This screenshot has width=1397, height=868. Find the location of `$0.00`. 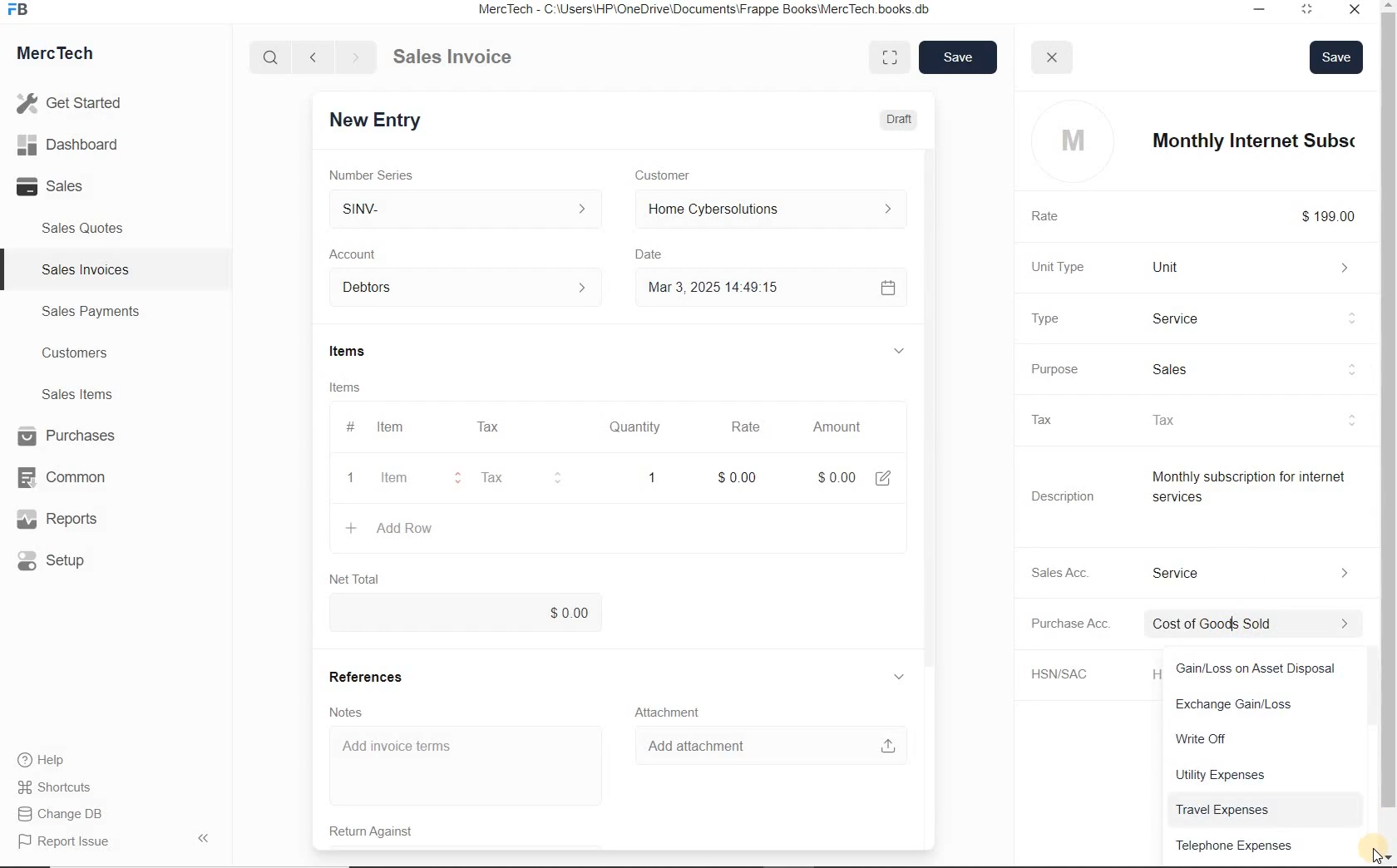

$0.00 is located at coordinates (475, 613).